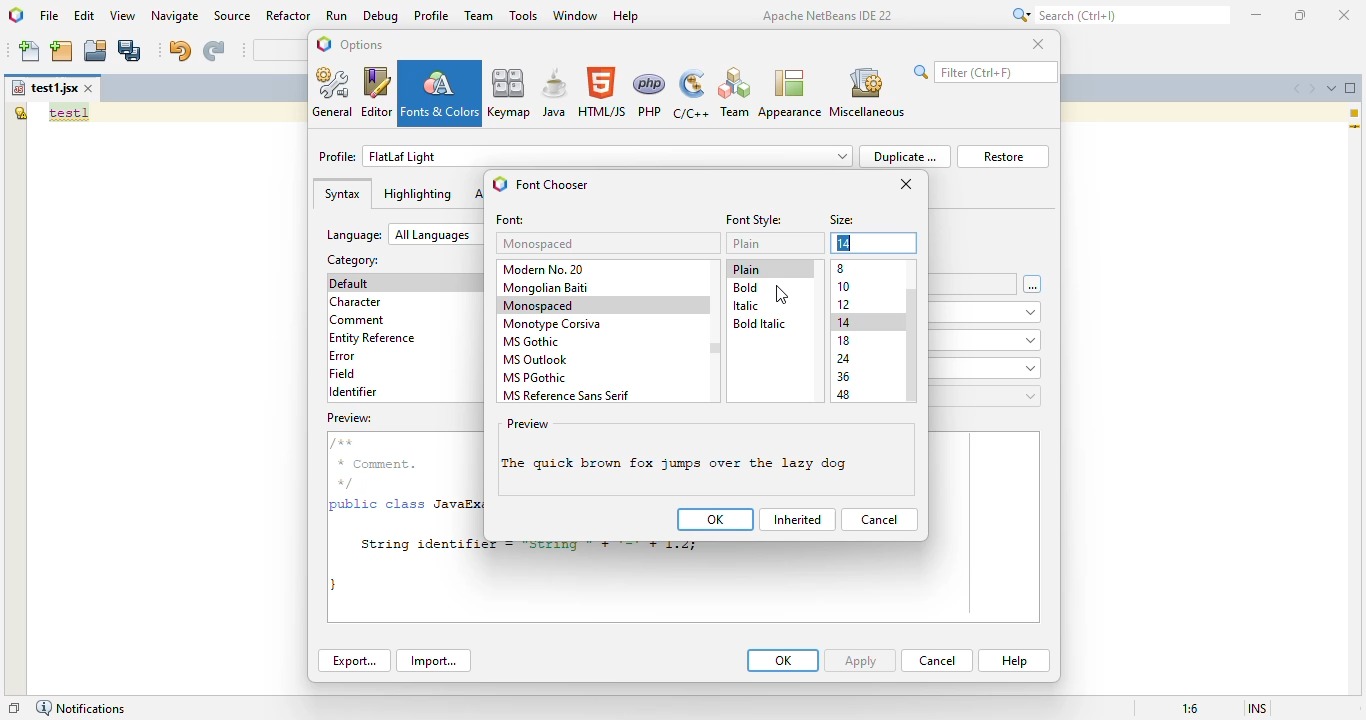 The height and width of the screenshot is (720, 1366). Describe the element at coordinates (377, 337) in the screenshot. I see `entity reference` at that location.